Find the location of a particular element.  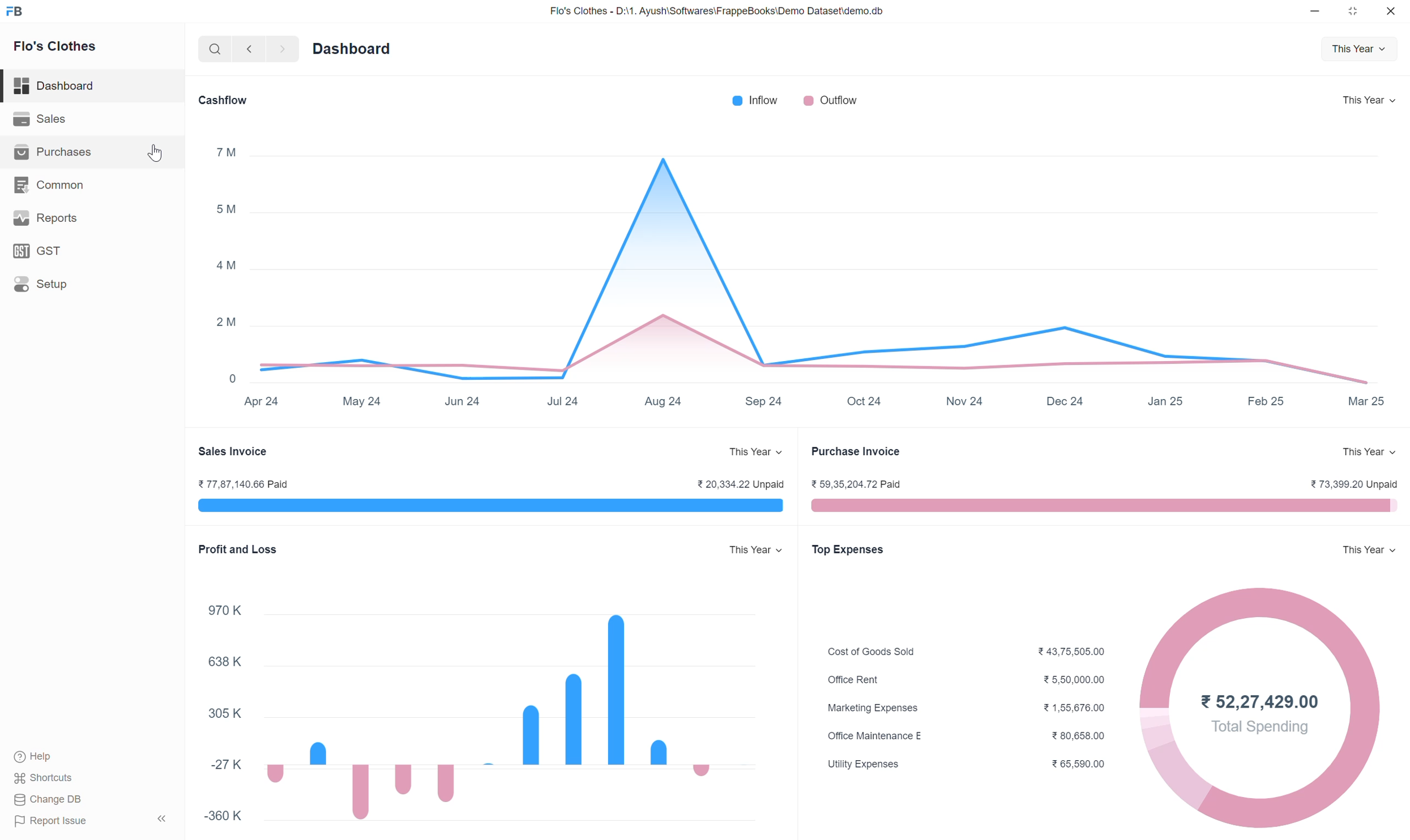

Common is located at coordinates (50, 186).